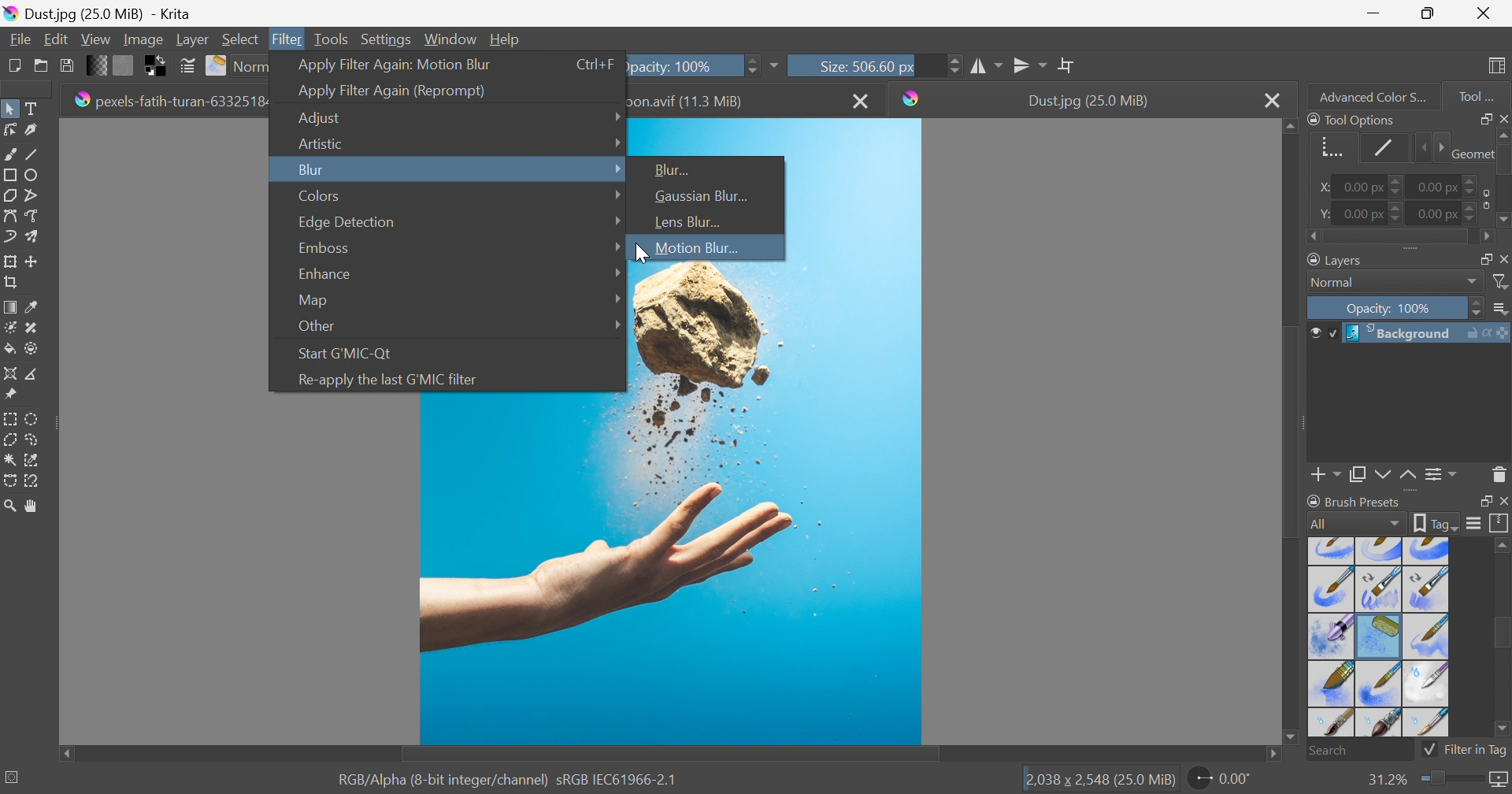 The image size is (1512, 794). What do you see at coordinates (324, 118) in the screenshot?
I see `Adjust` at bounding box center [324, 118].